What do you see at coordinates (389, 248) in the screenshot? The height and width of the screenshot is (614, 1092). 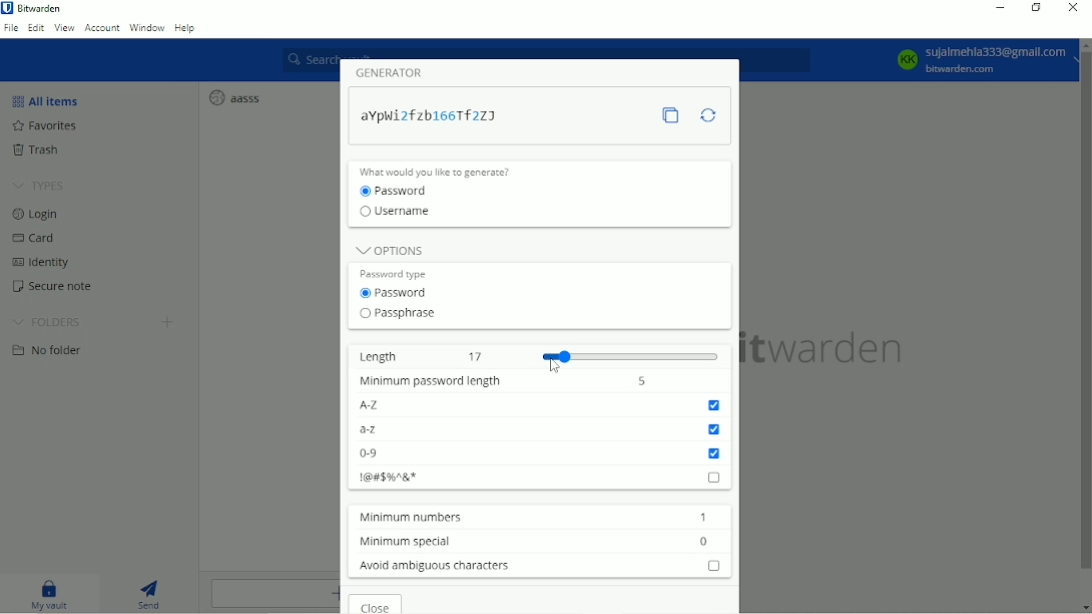 I see `Options` at bounding box center [389, 248].